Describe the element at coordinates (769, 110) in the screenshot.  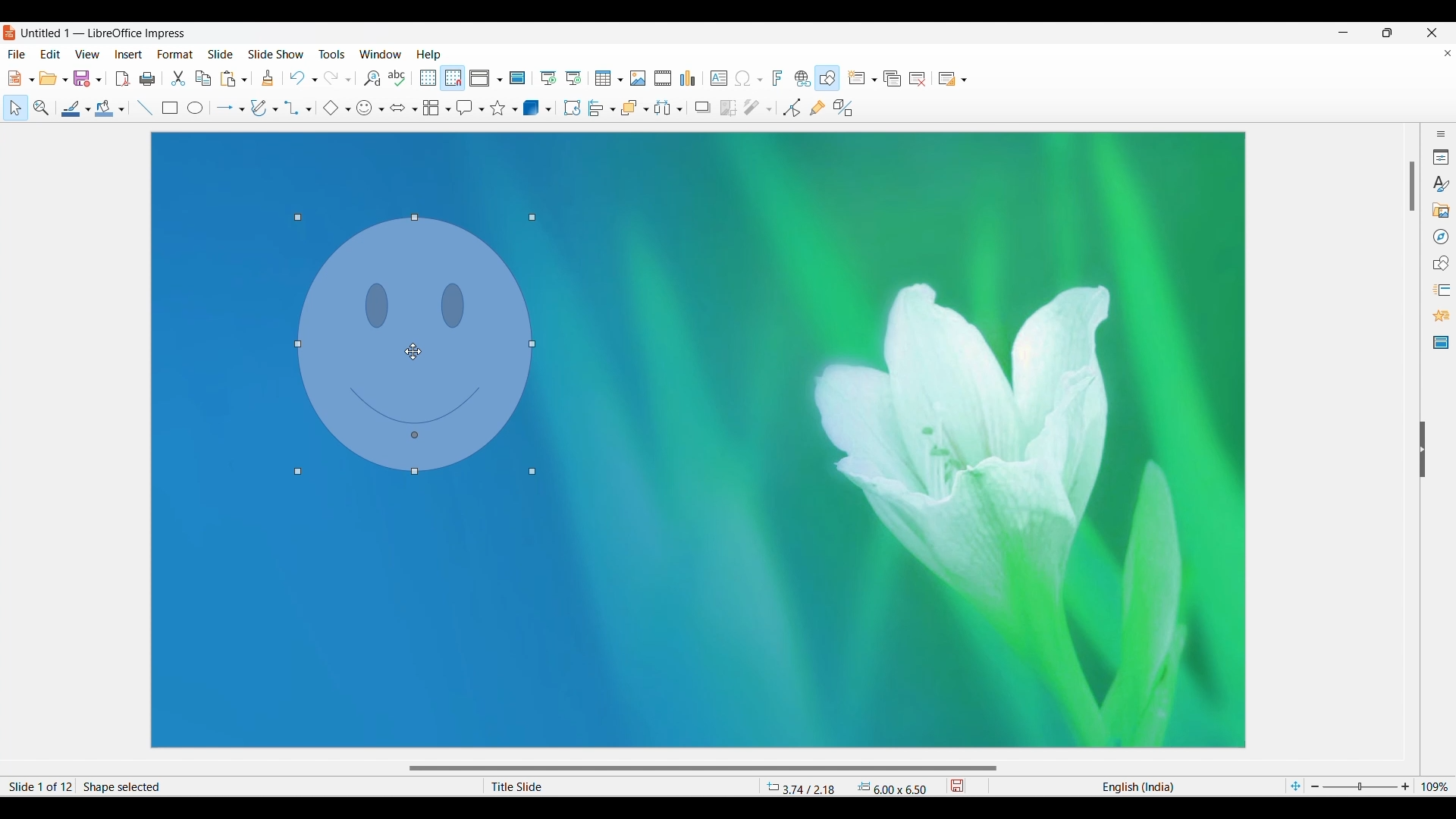
I see `Filter options` at that location.